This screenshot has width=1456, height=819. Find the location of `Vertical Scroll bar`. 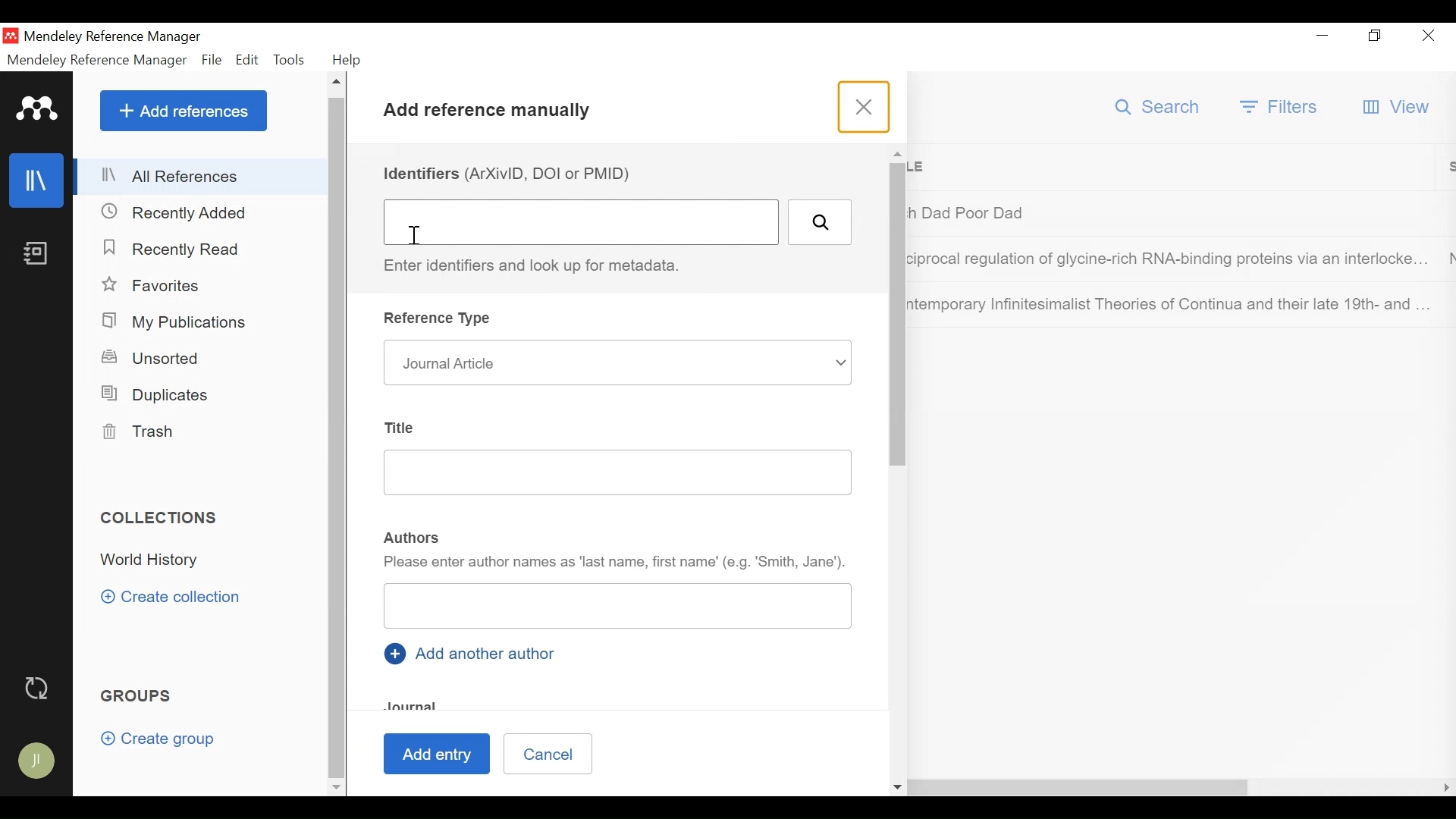

Vertical Scroll bar is located at coordinates (336, 438).